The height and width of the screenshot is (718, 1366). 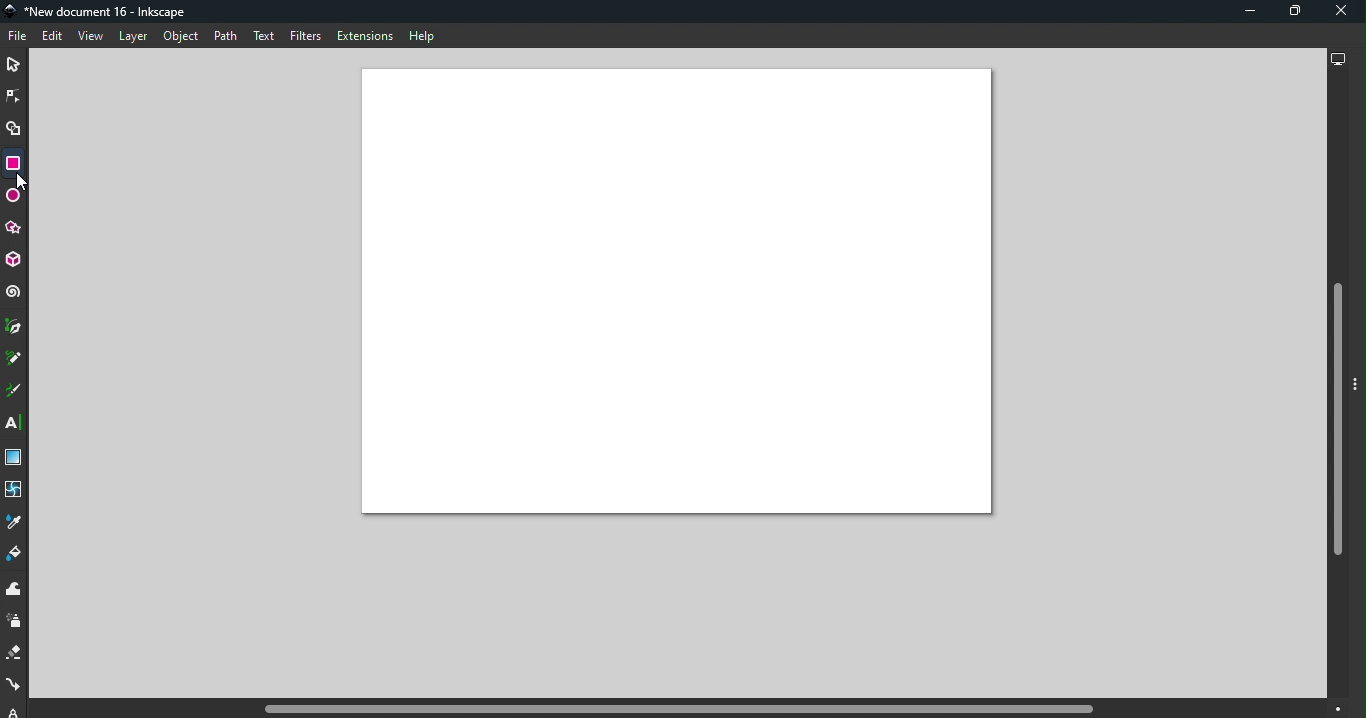 I want to click on 3D box tool, so click(x=15, y=262).